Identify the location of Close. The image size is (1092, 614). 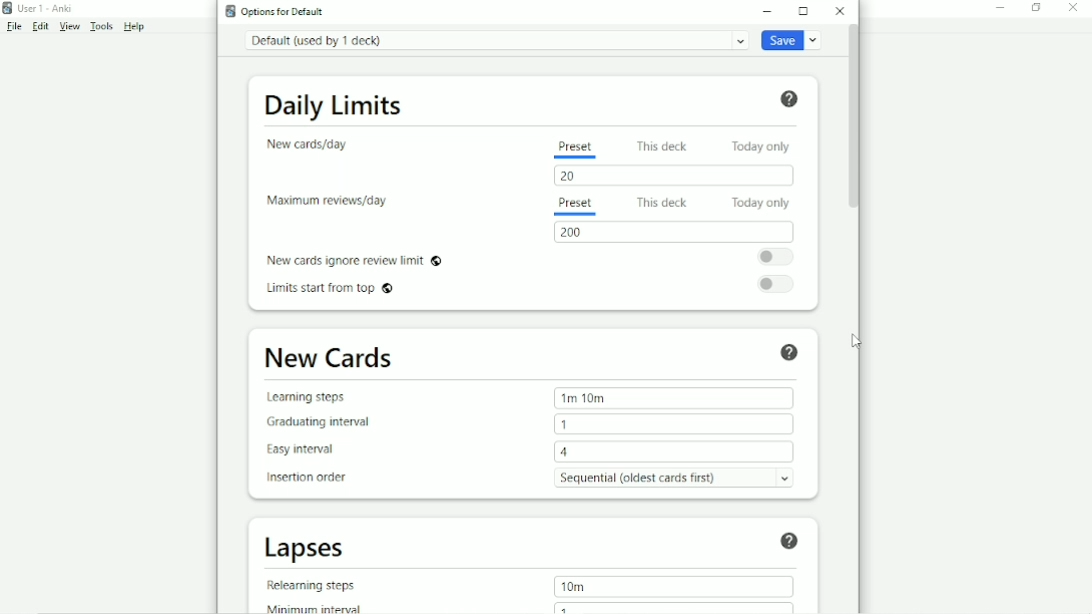
(840, 11).